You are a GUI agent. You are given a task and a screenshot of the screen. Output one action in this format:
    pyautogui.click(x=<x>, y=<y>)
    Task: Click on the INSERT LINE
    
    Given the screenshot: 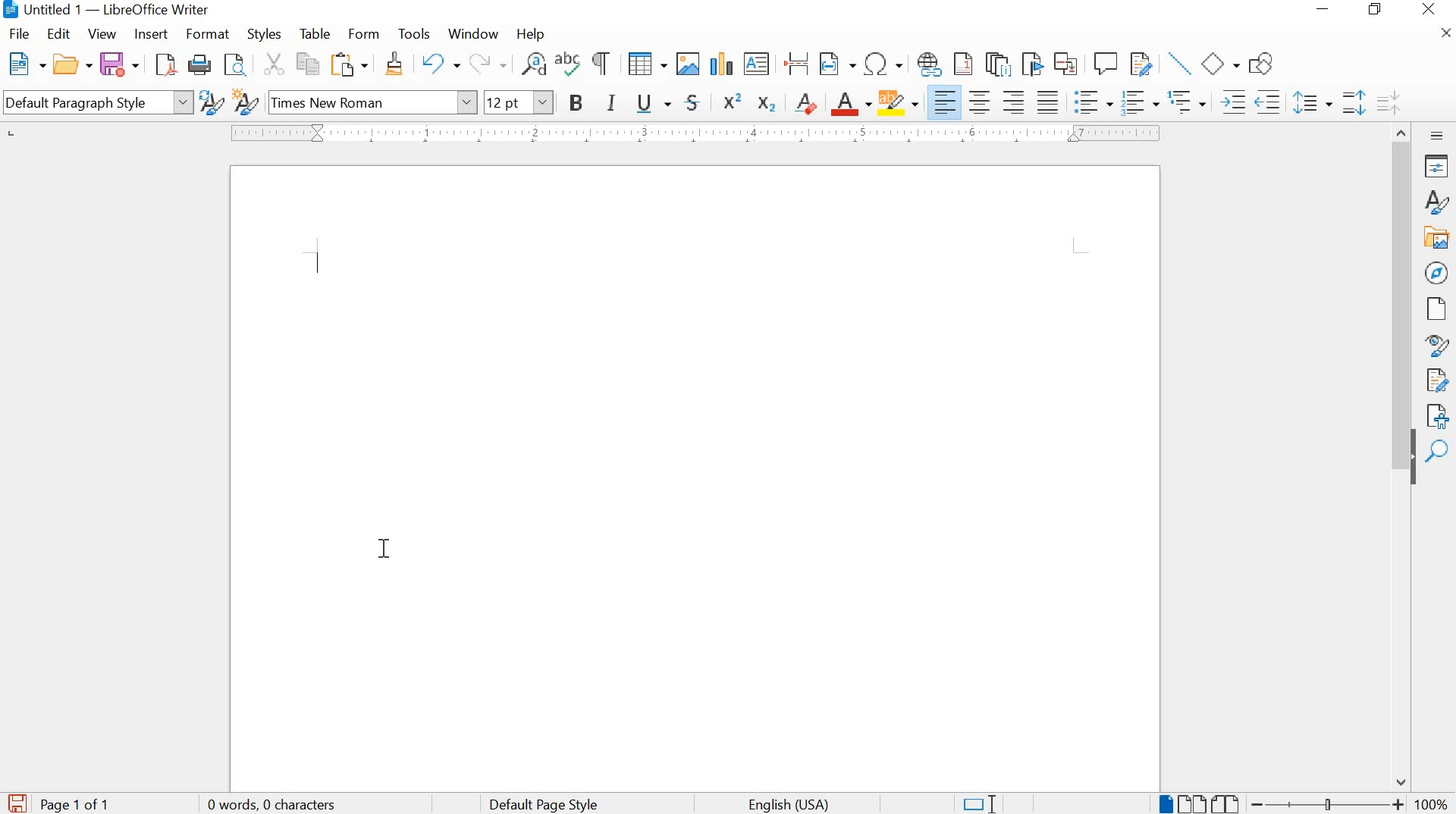 What is the action you would take?
    pyautogui.click(x=1179, y=64)
    